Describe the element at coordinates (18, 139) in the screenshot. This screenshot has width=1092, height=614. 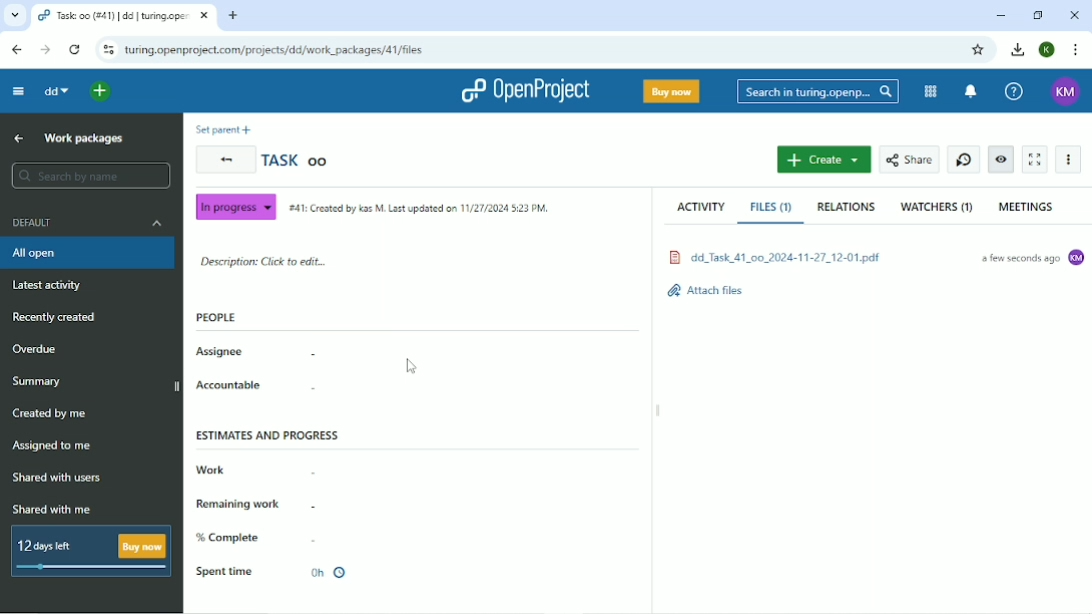
I see `Up` at that location.